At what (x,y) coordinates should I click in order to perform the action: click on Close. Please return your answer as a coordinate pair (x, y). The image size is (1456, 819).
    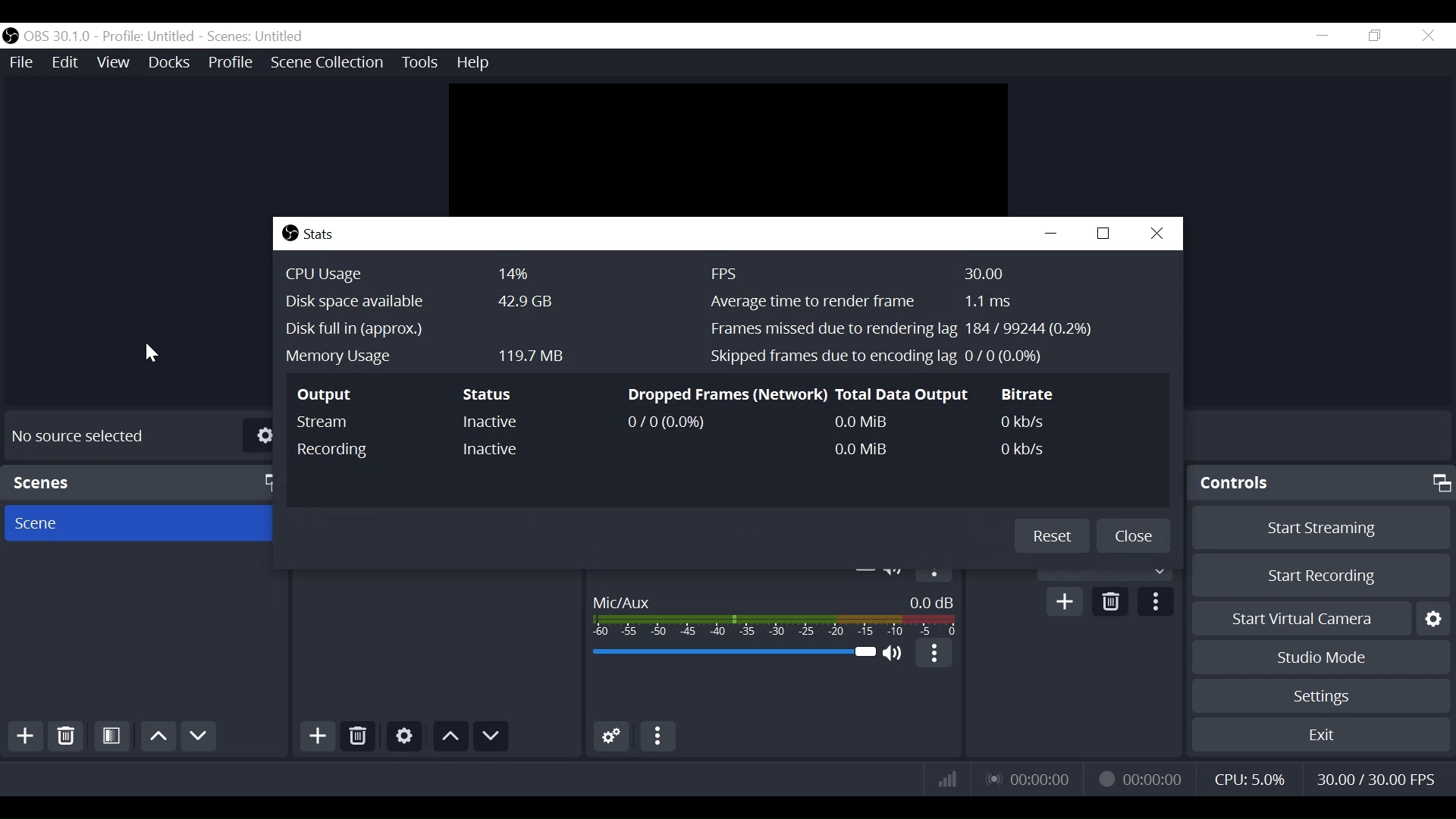
    Looking at the image, I should click on (1136, 536).